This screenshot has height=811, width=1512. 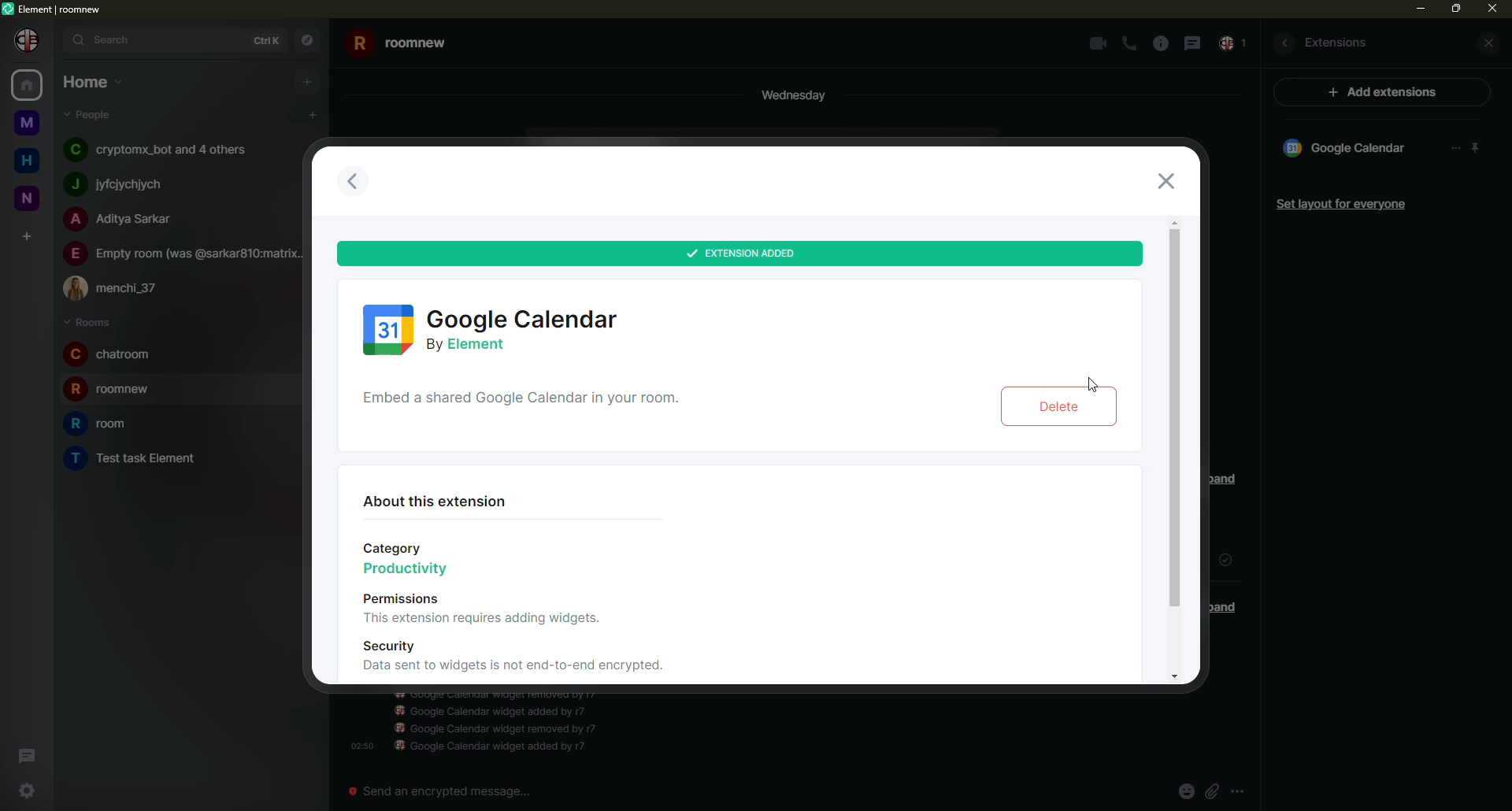 What do you see at coordinates (27, 236) in the screenshot?
I see `add` at bounding box center [27, 236].